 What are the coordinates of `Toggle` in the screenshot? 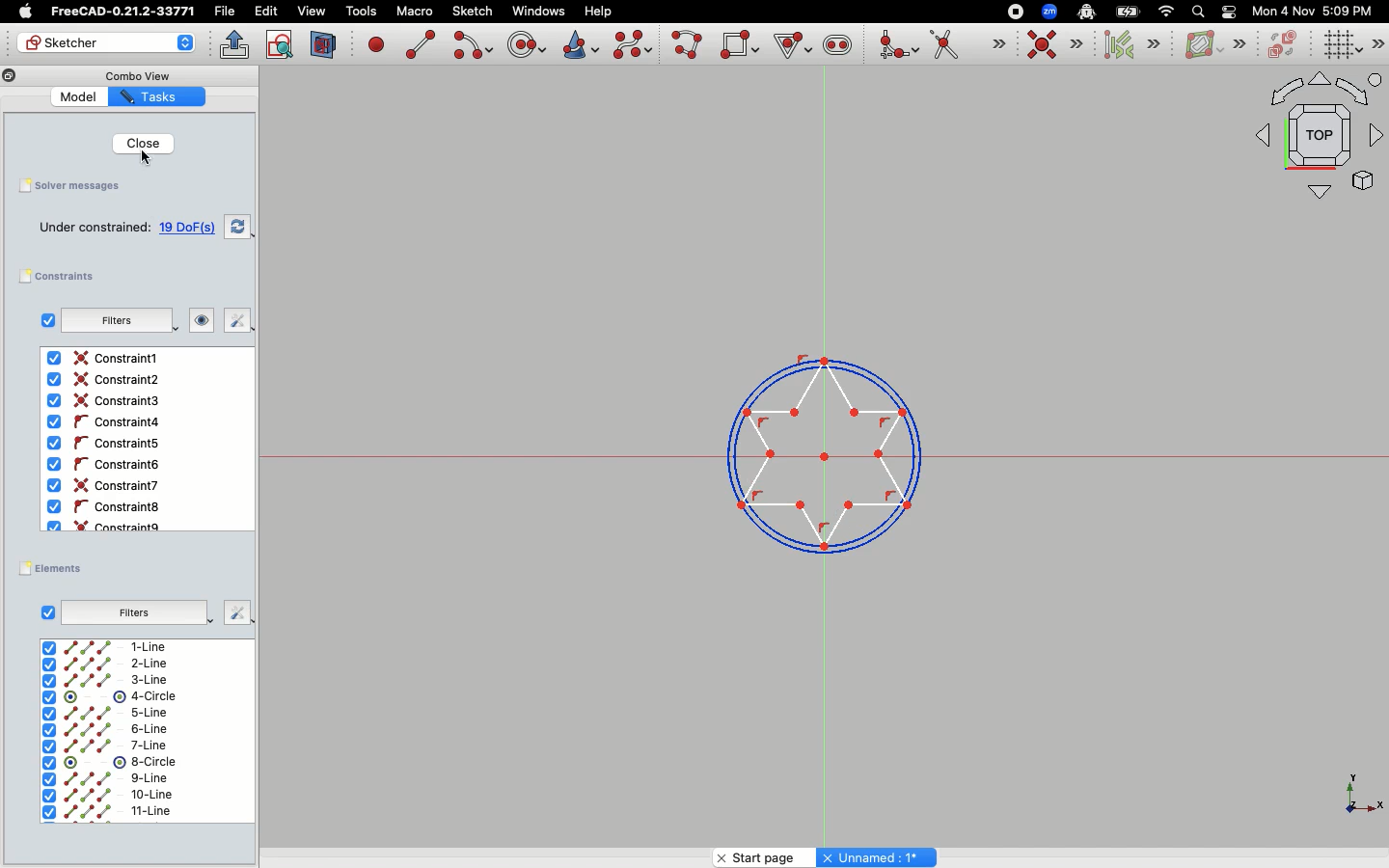 It's located at (1229, 12).